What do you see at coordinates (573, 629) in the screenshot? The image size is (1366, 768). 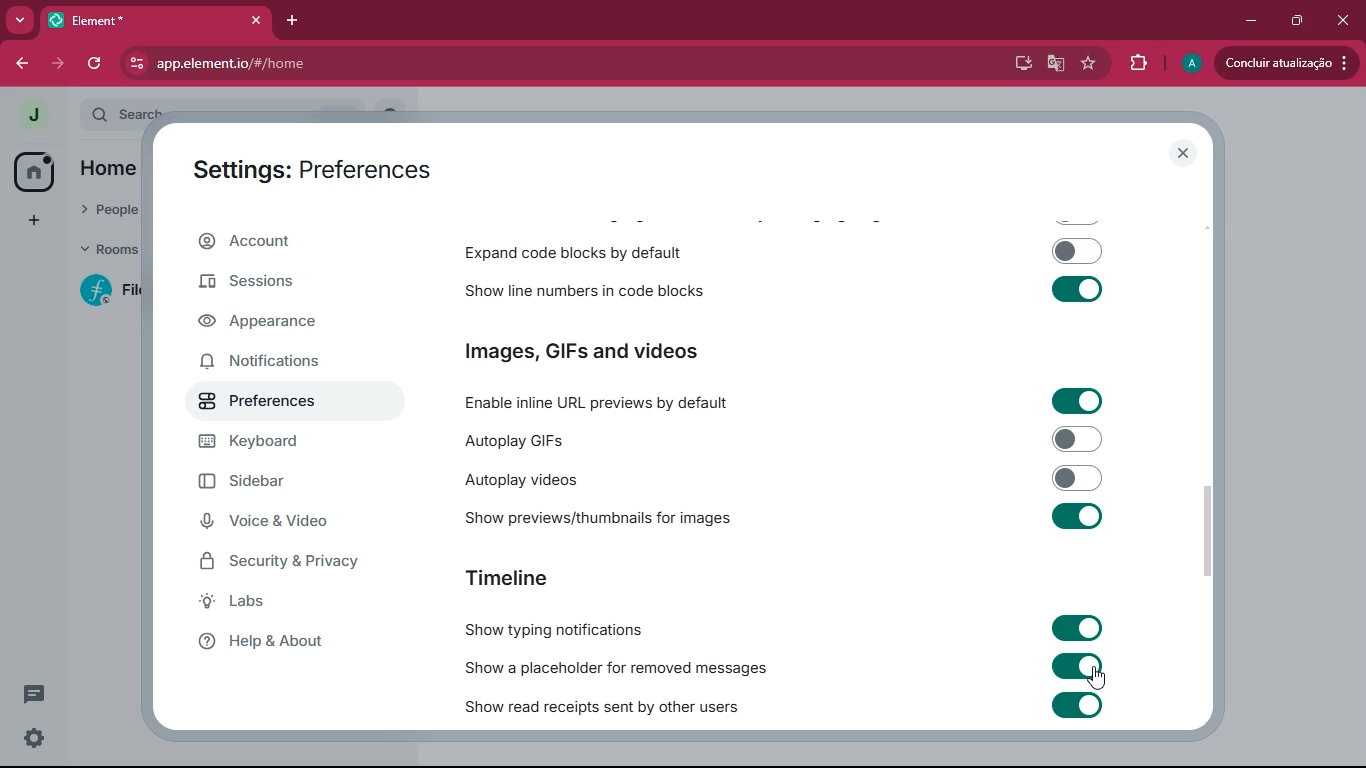 I see `show typing notifications` at bounding box center [573, 629].